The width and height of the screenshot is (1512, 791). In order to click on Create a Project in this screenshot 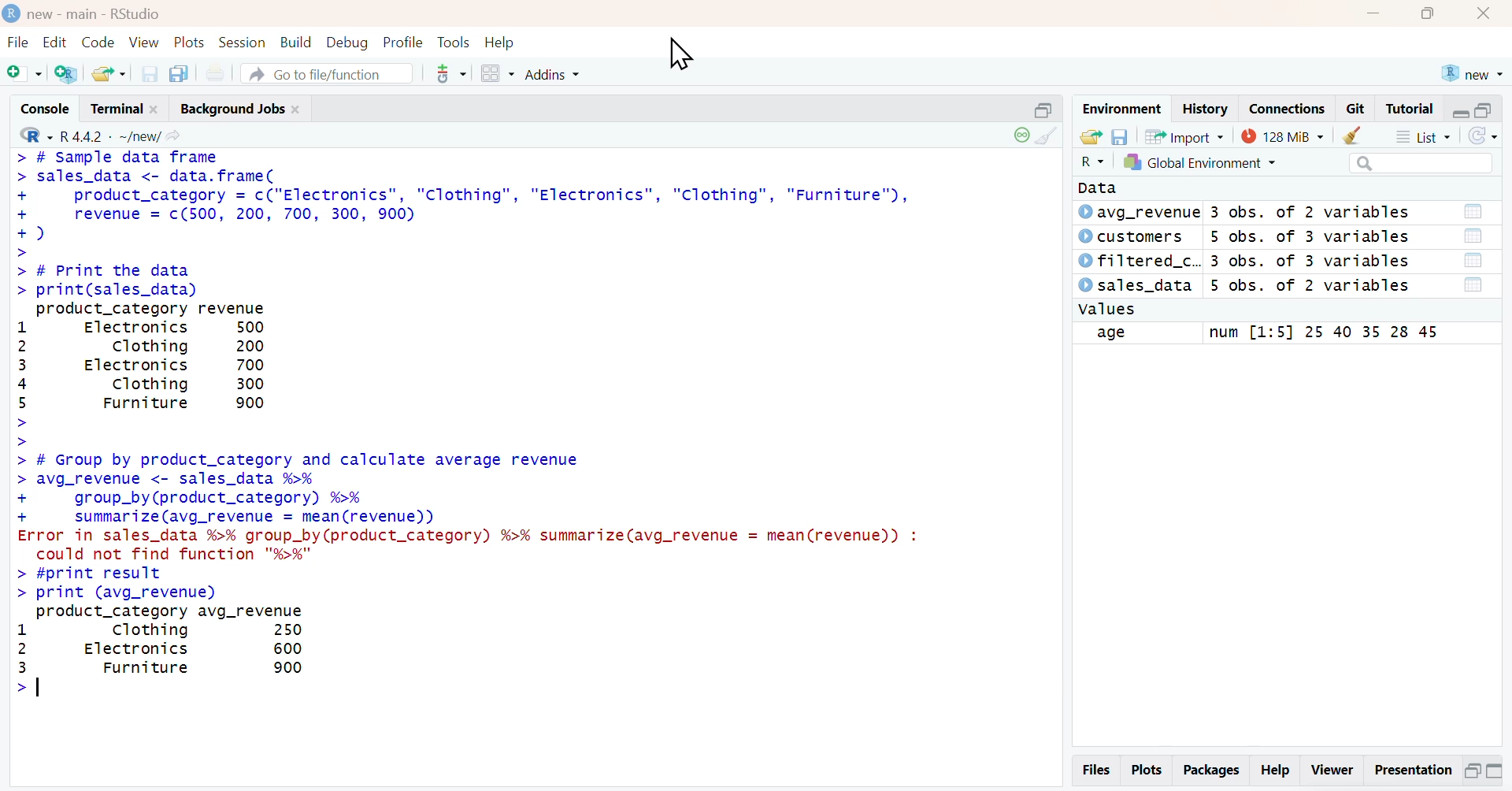, I will do `click(65, 73)`.